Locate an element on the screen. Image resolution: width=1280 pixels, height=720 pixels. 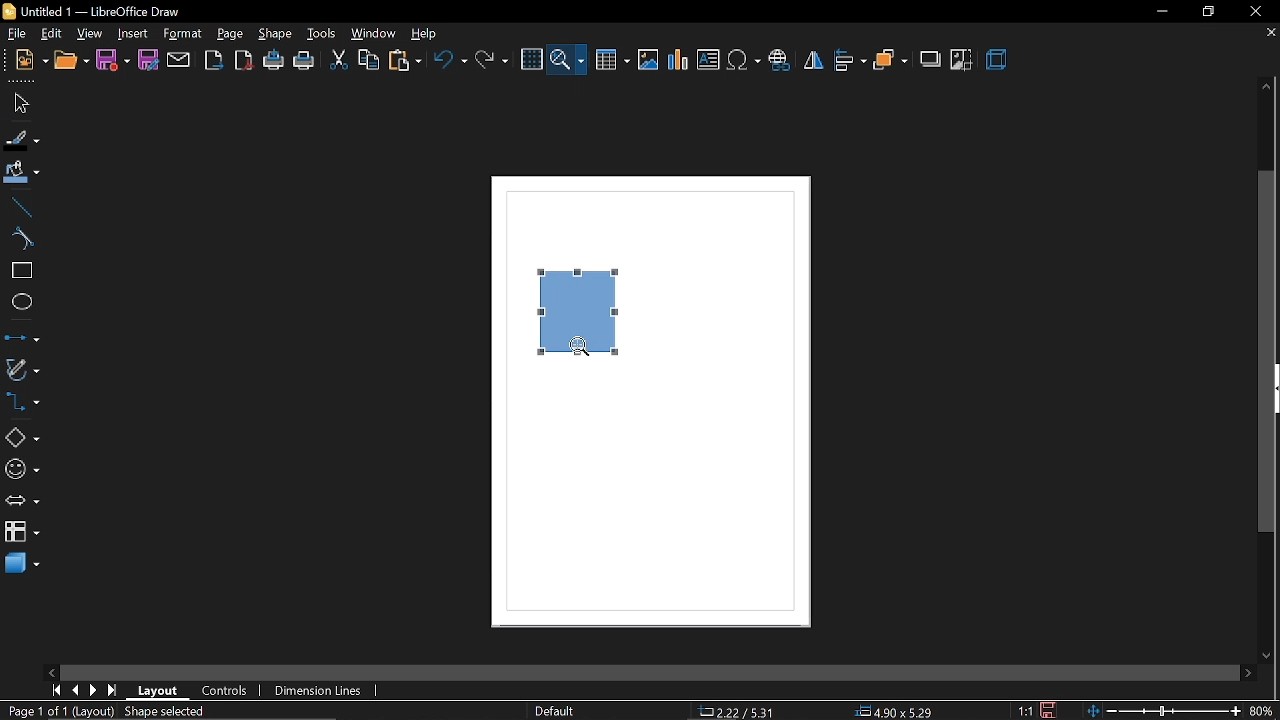
current page is located at coordinates (58, 711).